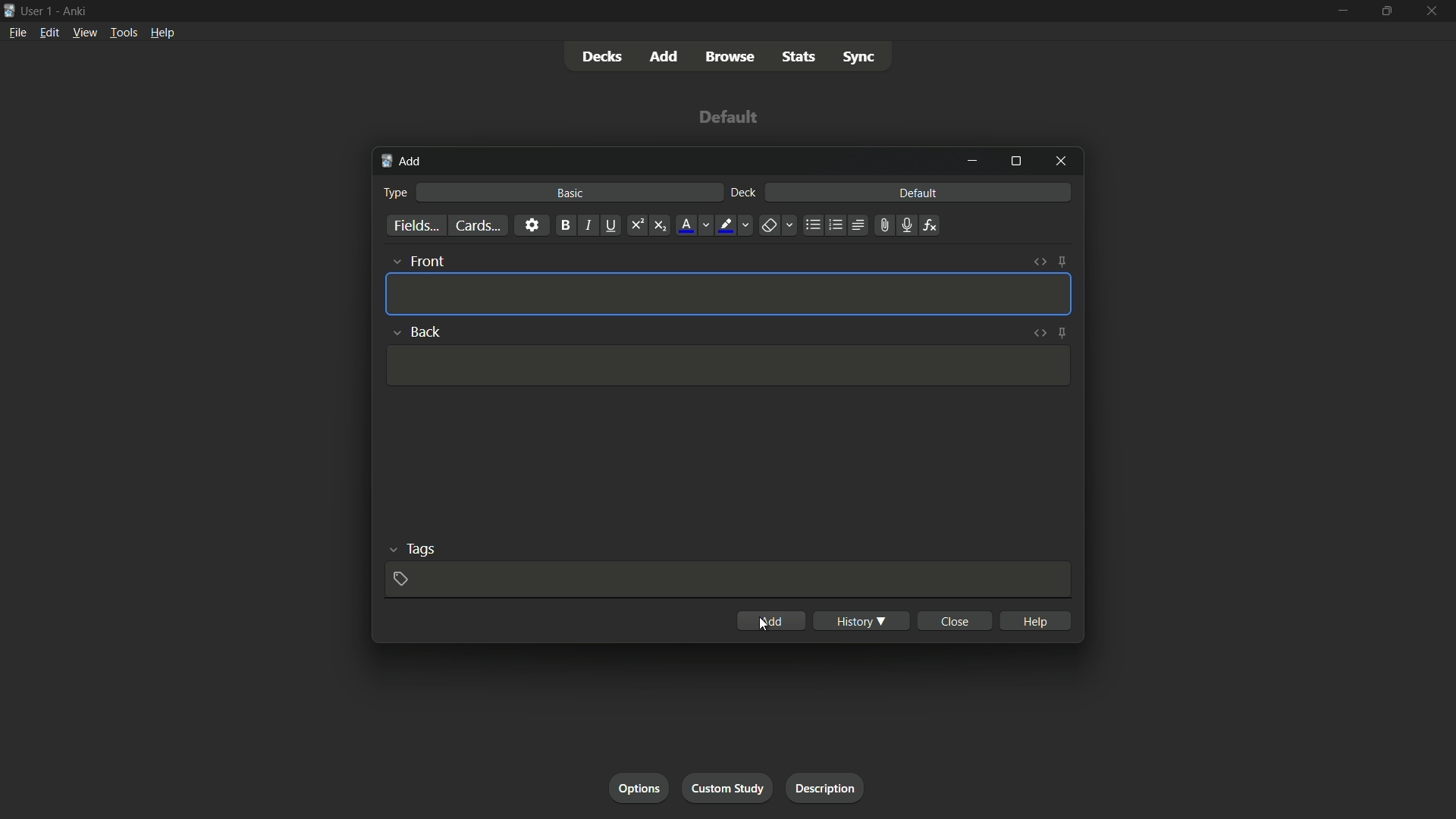 This screenshot has width=1456, height=819. I want to click on cards, so click(477, 225).